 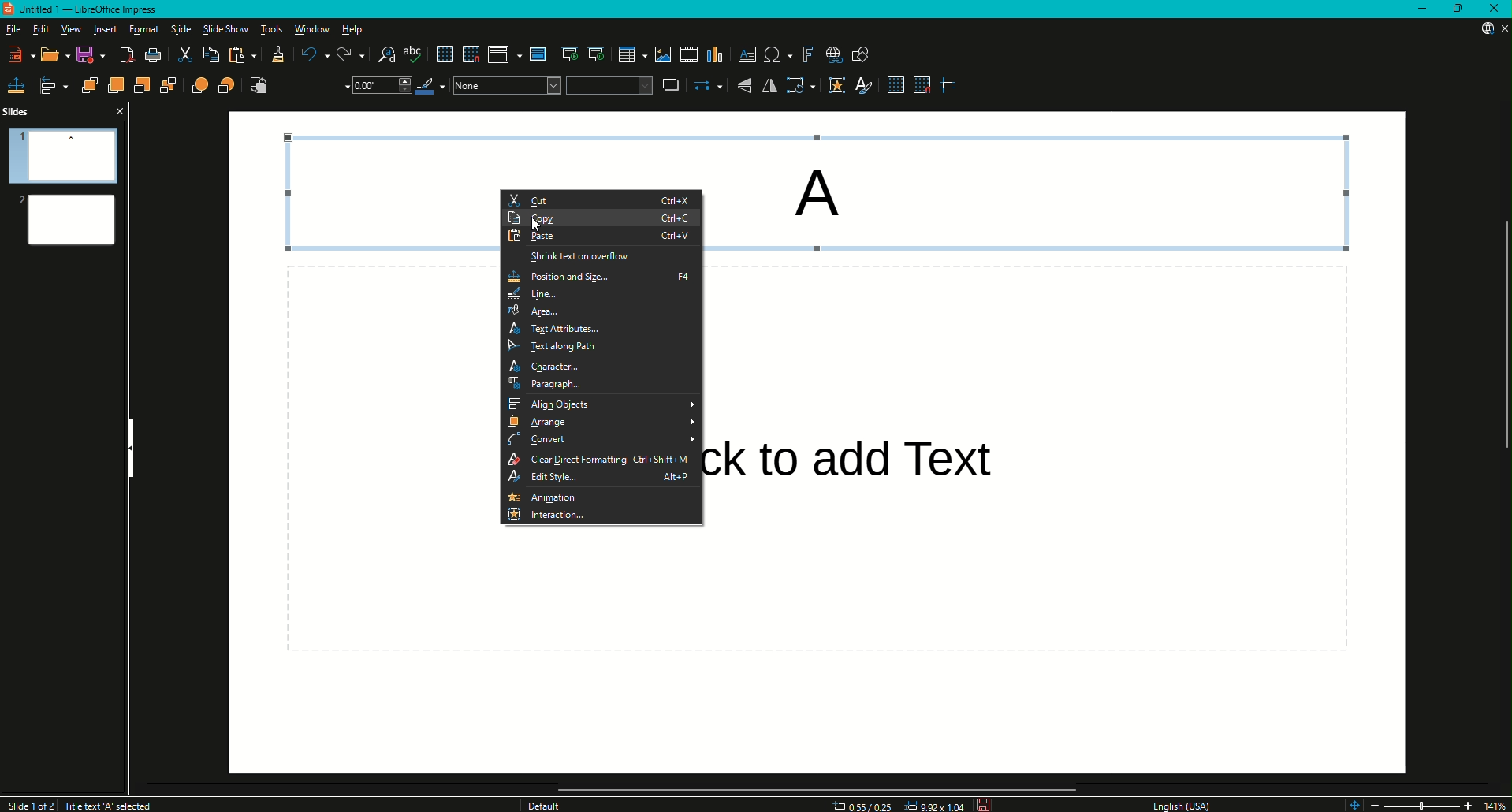 I want to click on Insert Textbox, so click(x=744, y=55).